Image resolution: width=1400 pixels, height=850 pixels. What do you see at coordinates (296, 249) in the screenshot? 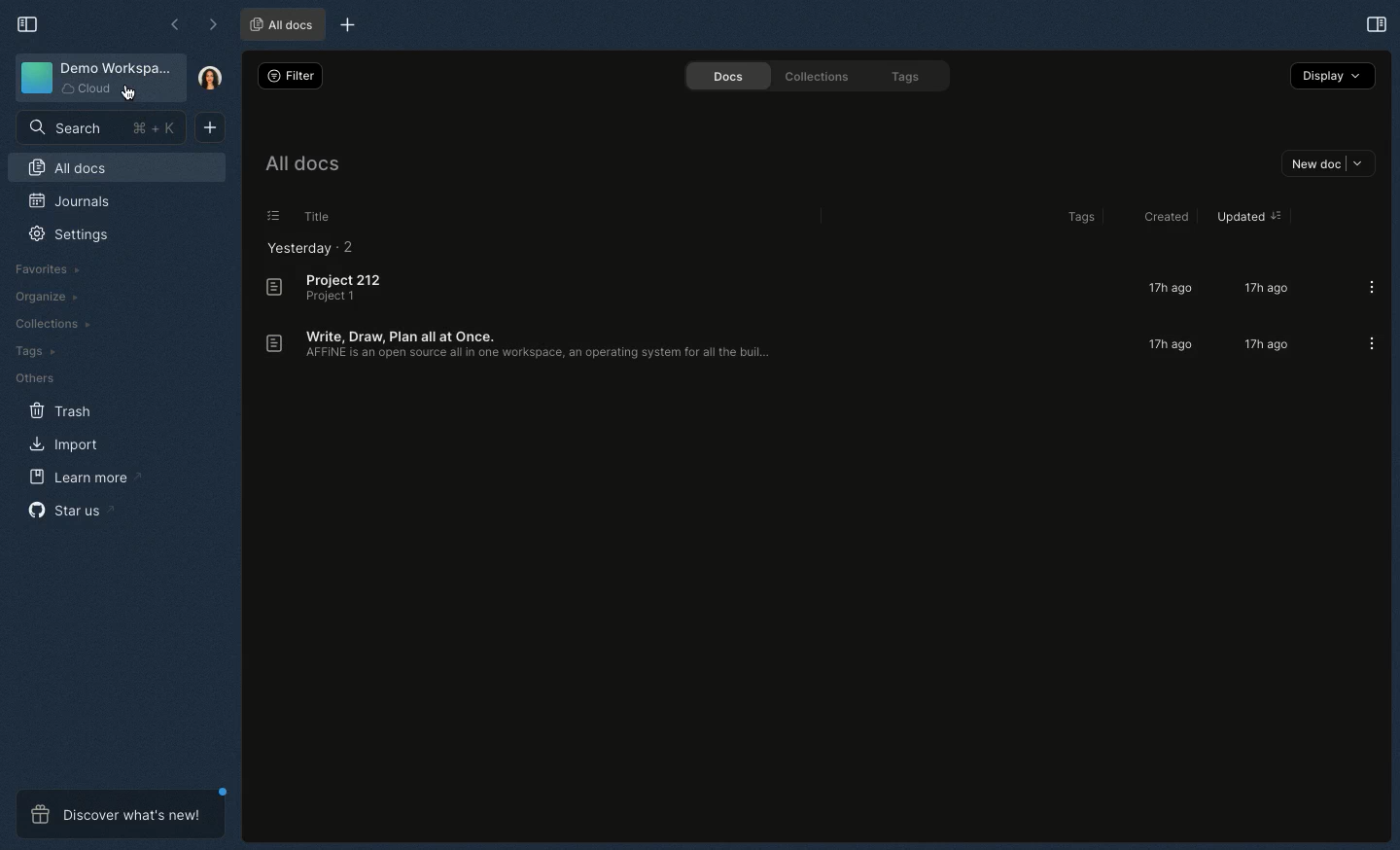
I see `Yesterday` at bounding box center [296, 249].